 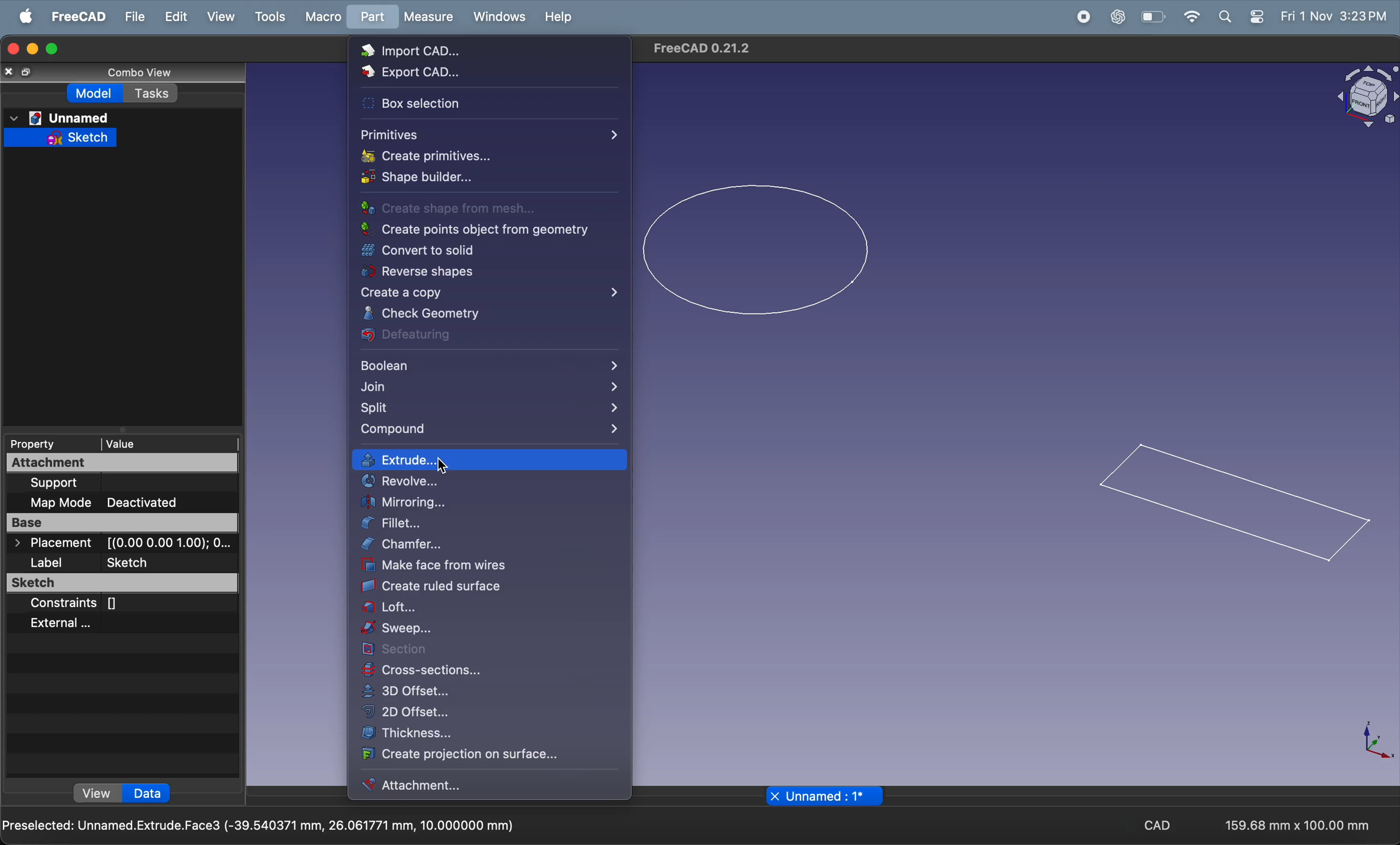 What do you see at coordinates (369, 16) in the screenshot?
I see `Part` at bounding box center [369, 16].